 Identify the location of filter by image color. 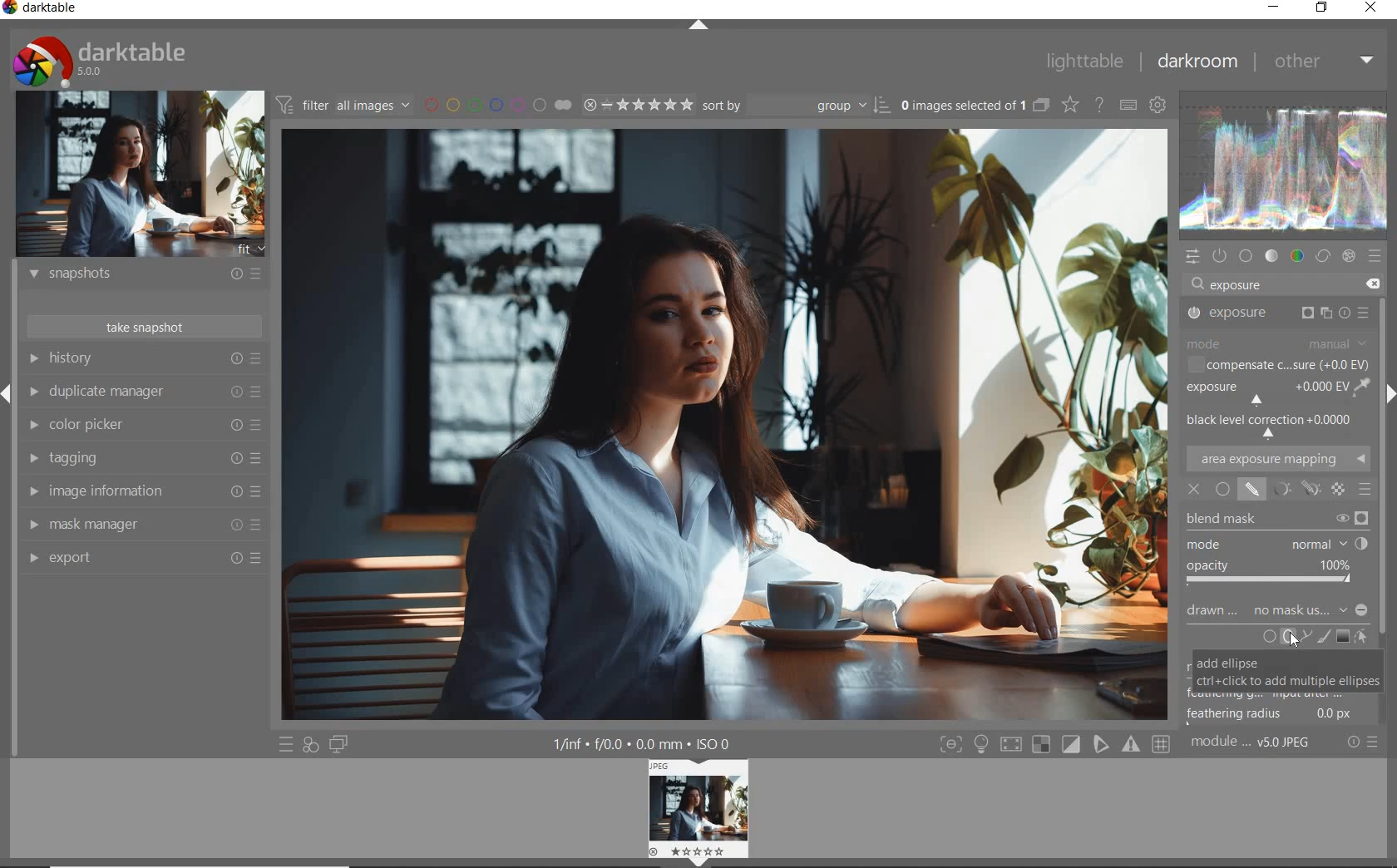
(498, 105).